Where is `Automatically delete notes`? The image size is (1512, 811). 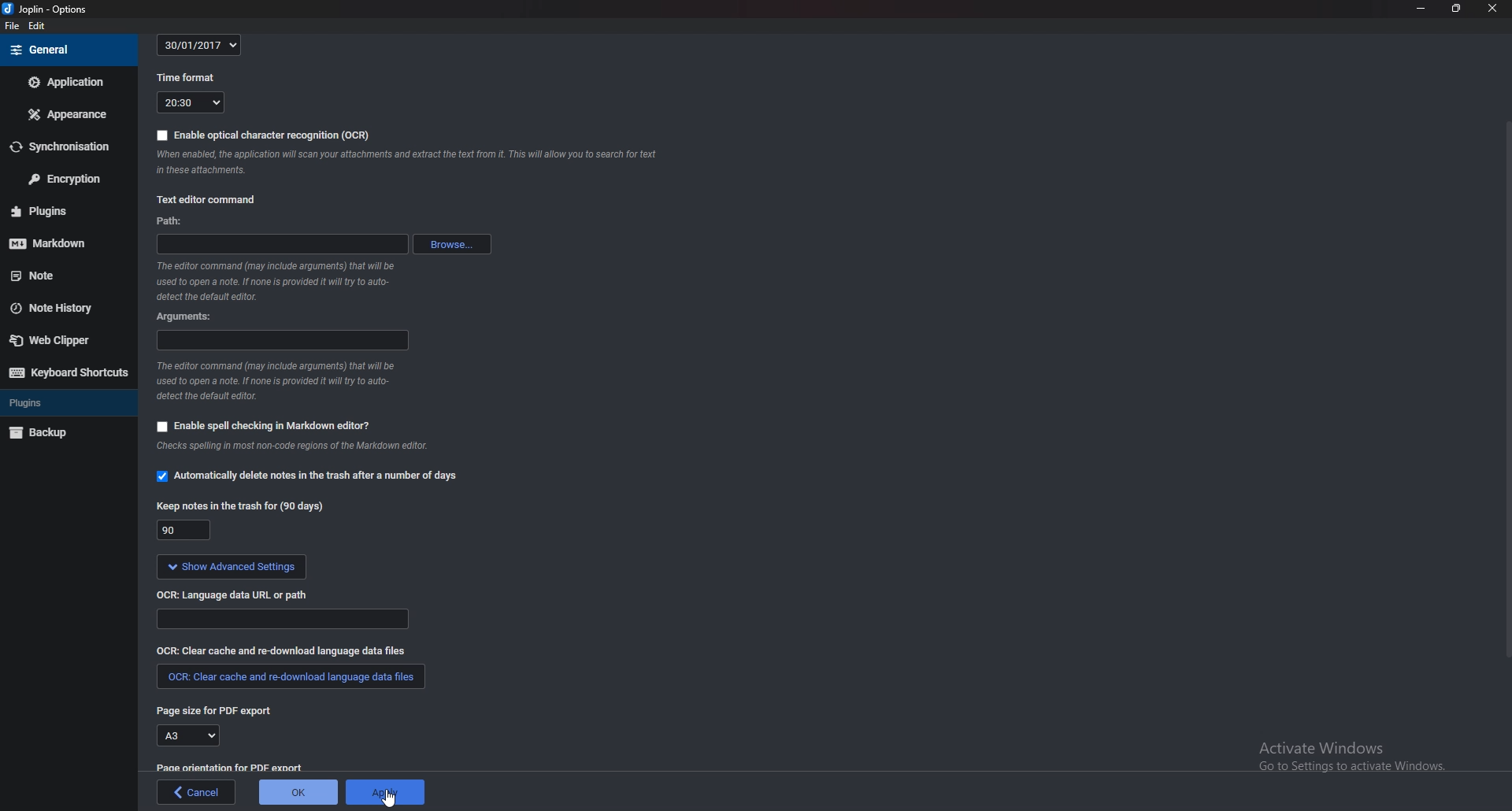
Automatically delete notes is located at coordinates (313, 478).